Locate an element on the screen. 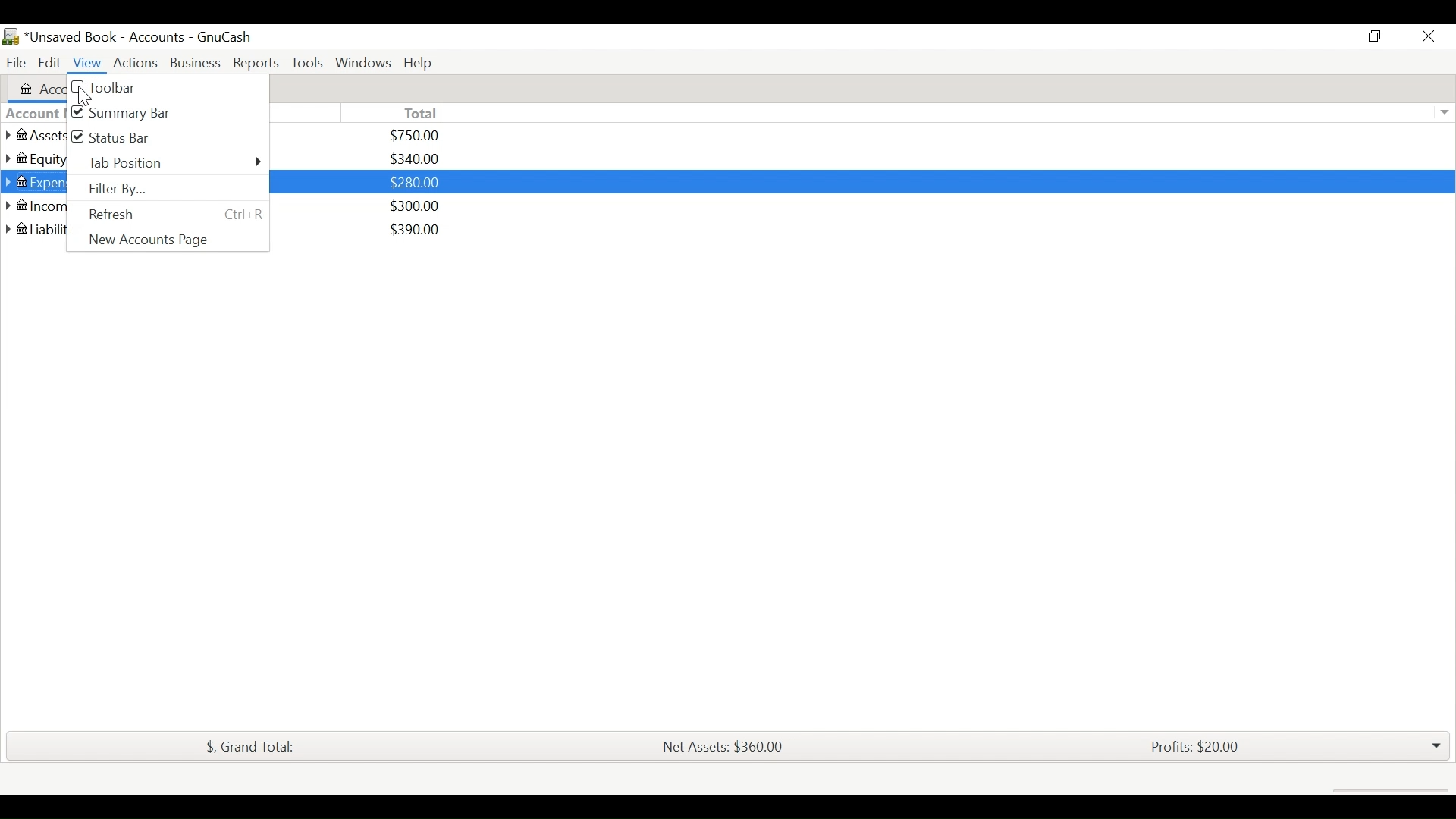  Accounts is located at coordinates (36, 87).